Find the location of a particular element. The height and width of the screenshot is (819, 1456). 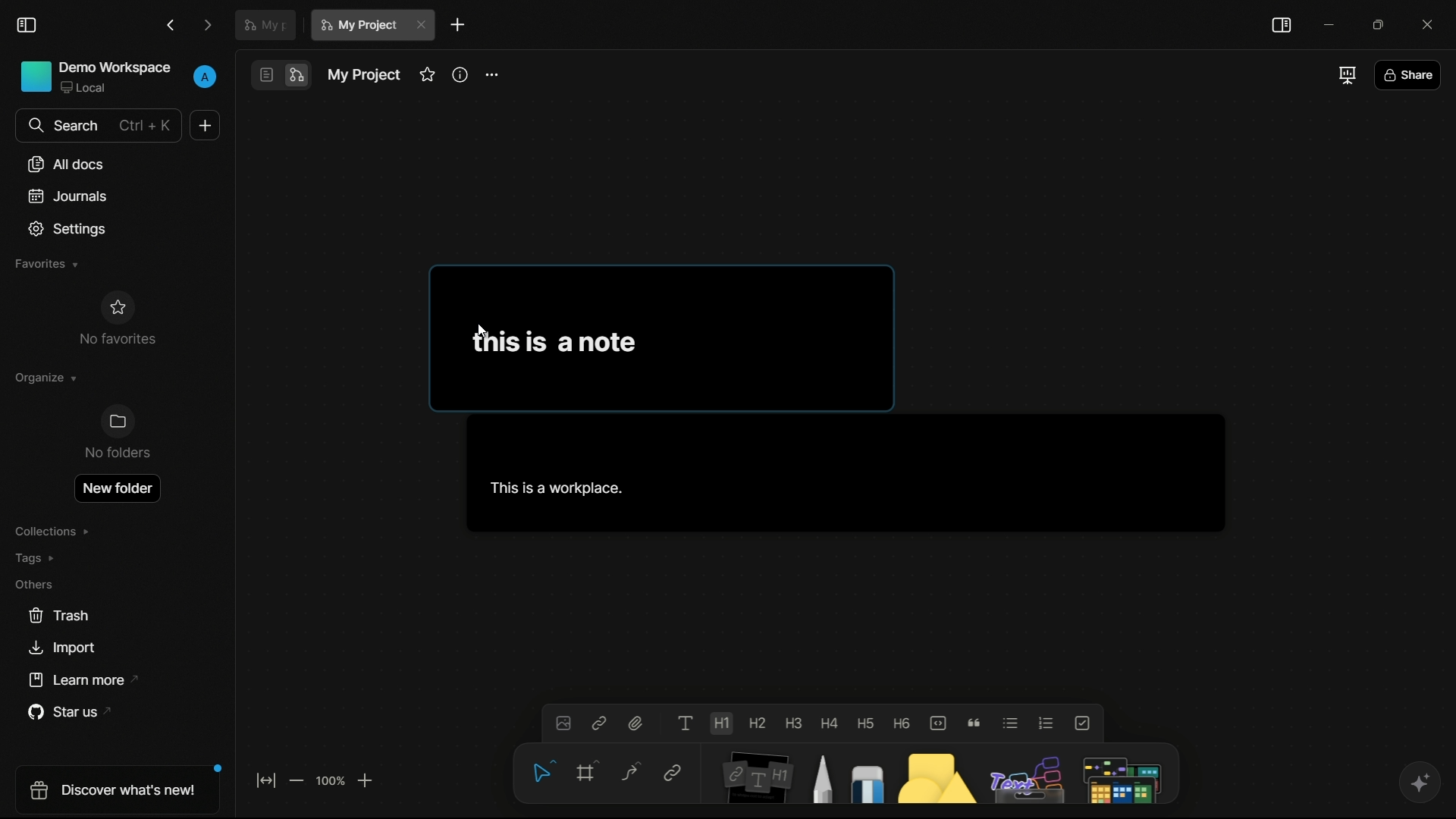

shapes is located at coordinates (931, 773).